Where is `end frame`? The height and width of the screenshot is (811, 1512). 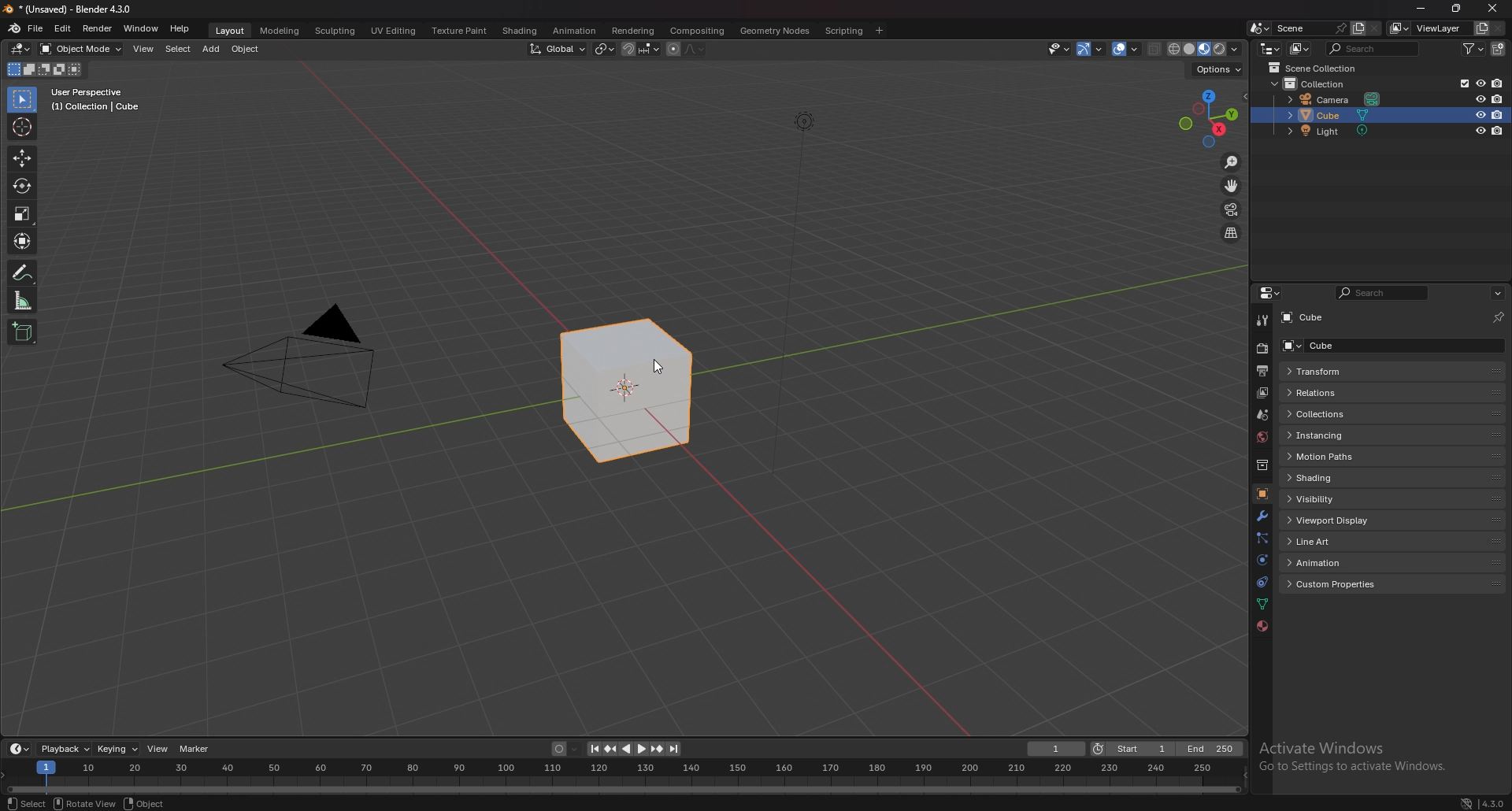 end frame is located at coordinates (1209, 749).